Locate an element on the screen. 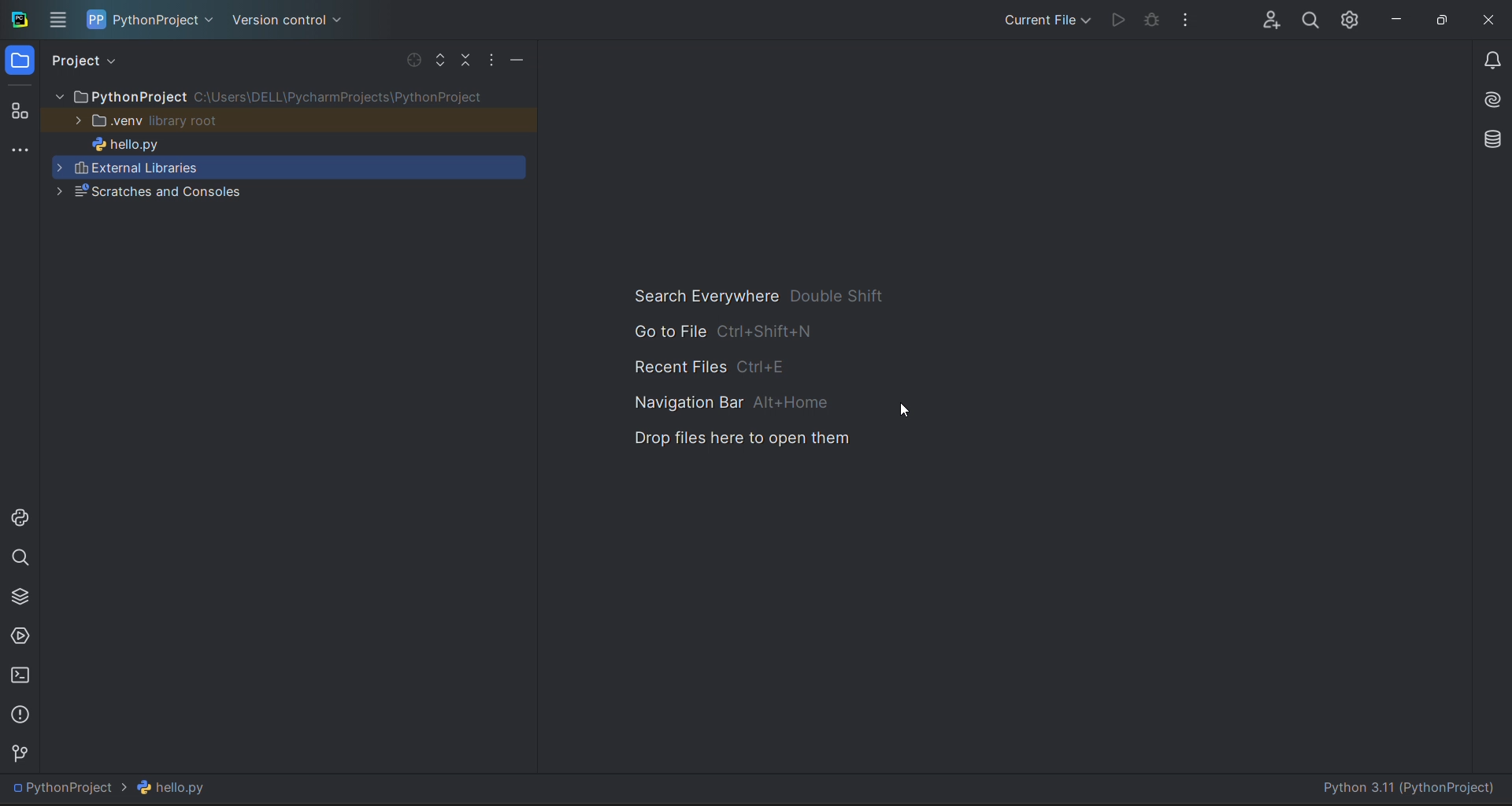 This screenshot has height=806, width=1512. options is located at coordinates (491, 59).